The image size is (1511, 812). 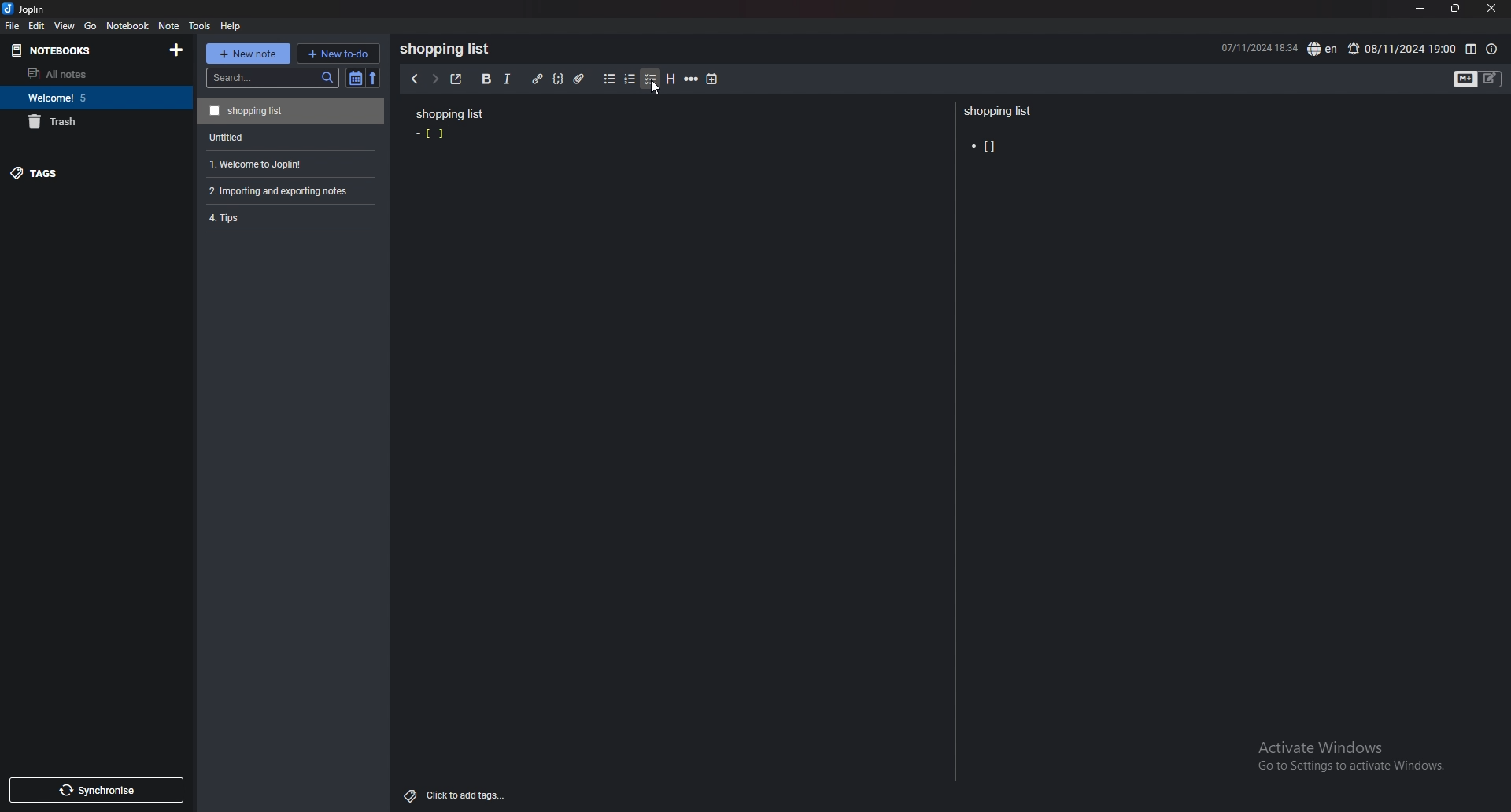 What do you see at coordinates (1491, 9) in the screenshot?
I see `close` at bounding box center [1491, 9].